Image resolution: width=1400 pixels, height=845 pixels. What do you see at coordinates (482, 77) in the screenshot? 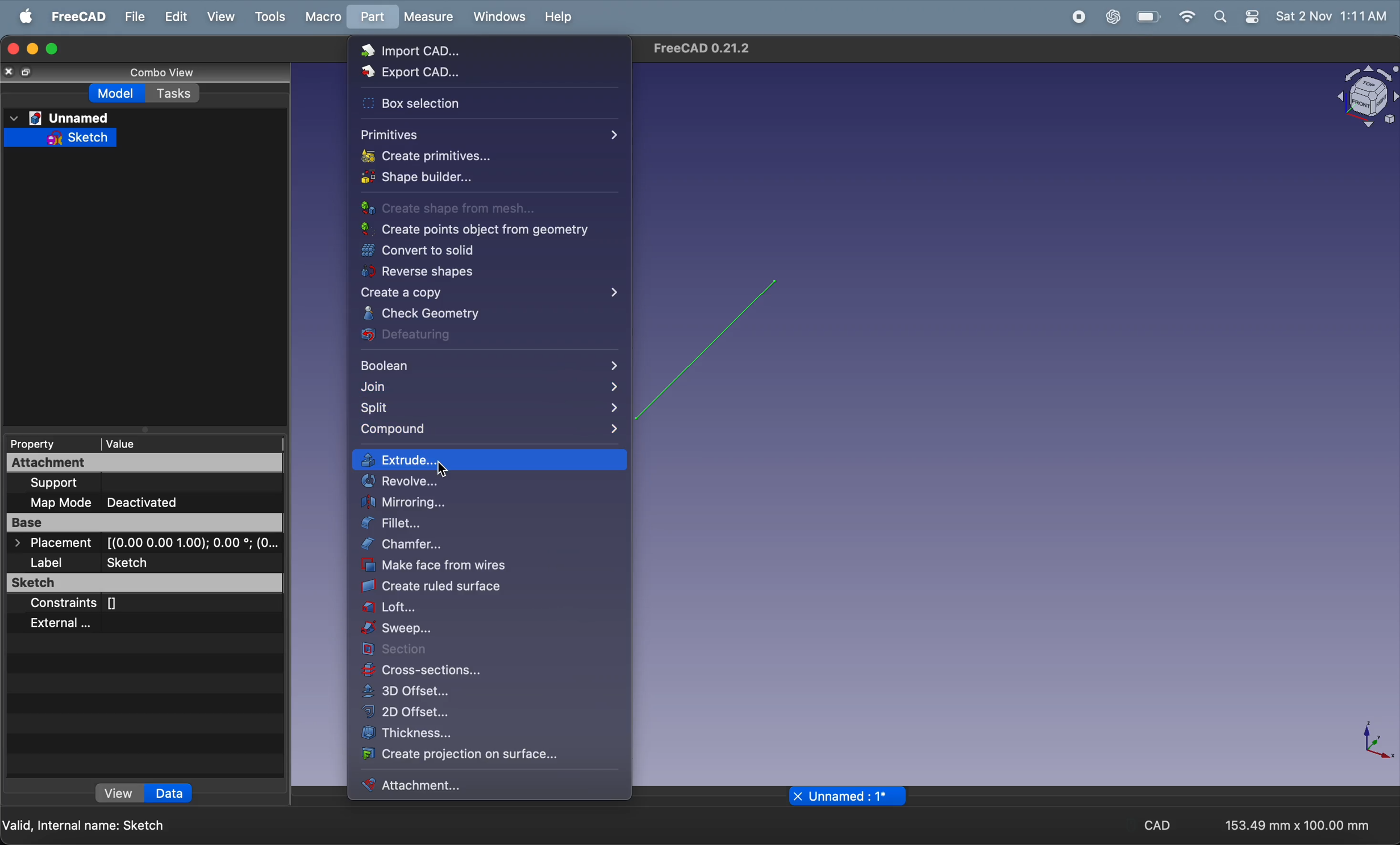
I see `export cad...` at bounding box center [482, 77].